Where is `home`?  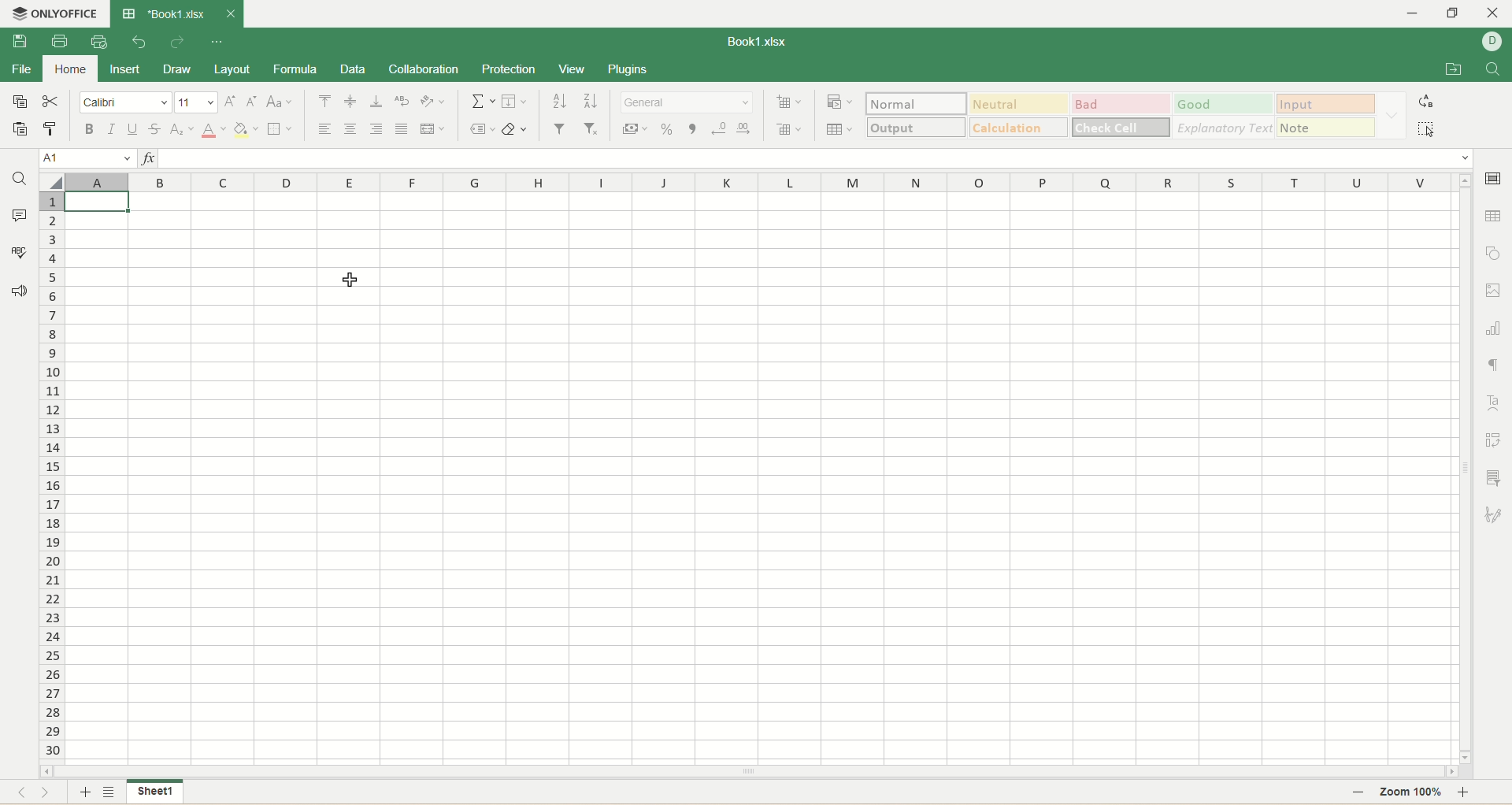
home is located at coordinates (68, 69).